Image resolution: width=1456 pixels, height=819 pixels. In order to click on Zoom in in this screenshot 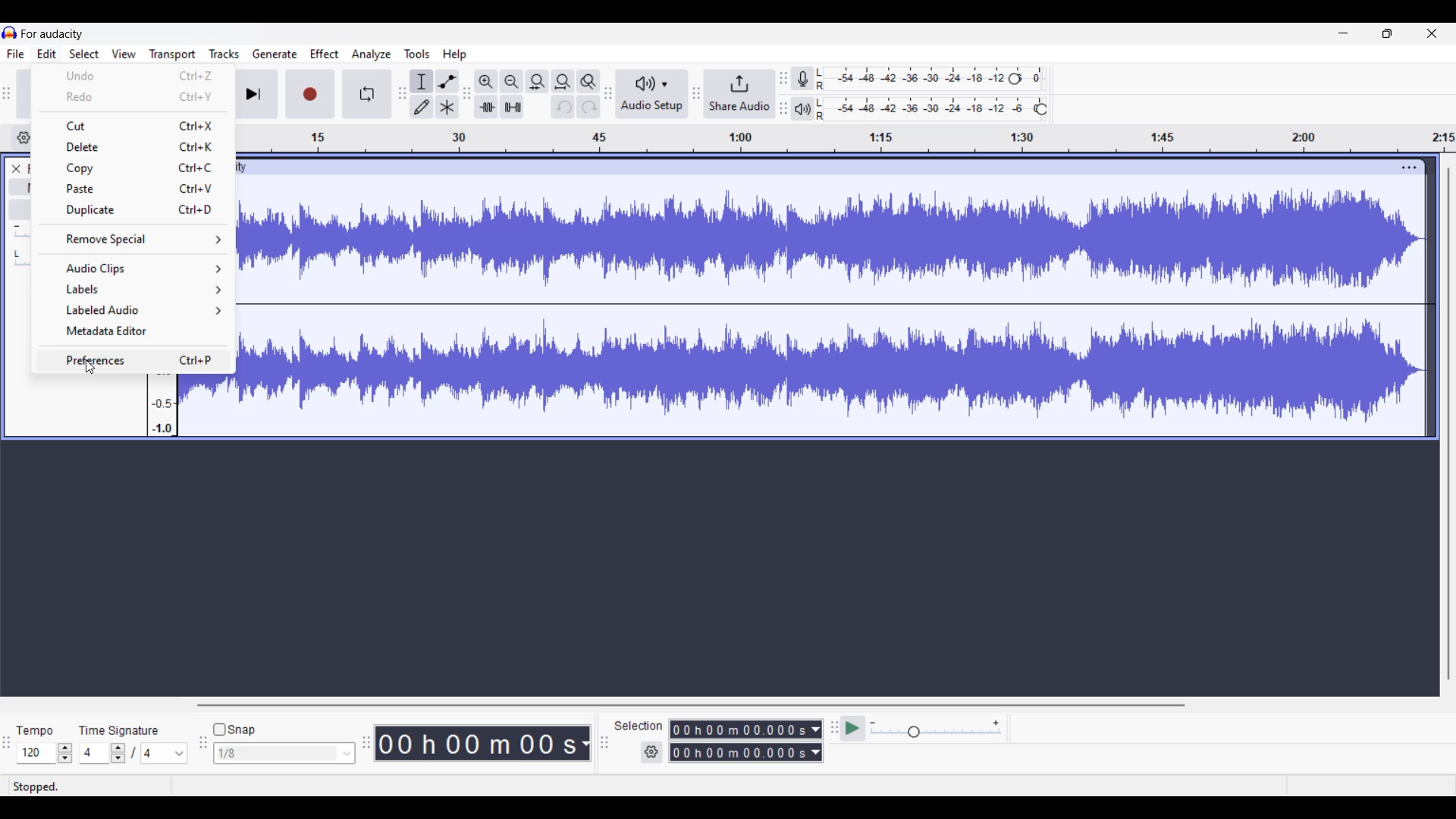, I will do `click(487, 82)`.